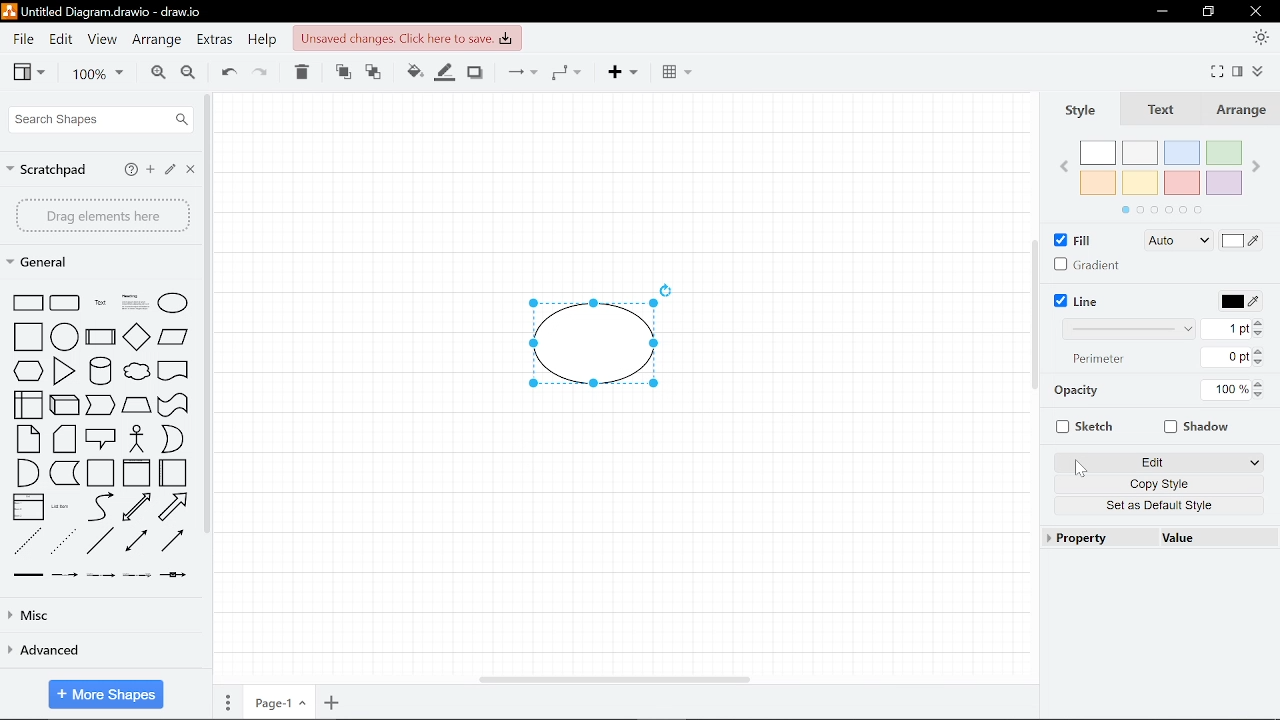 This screenshot has width=1280, height=720. I want to click on Expand/collapse, so click(1261, 70).